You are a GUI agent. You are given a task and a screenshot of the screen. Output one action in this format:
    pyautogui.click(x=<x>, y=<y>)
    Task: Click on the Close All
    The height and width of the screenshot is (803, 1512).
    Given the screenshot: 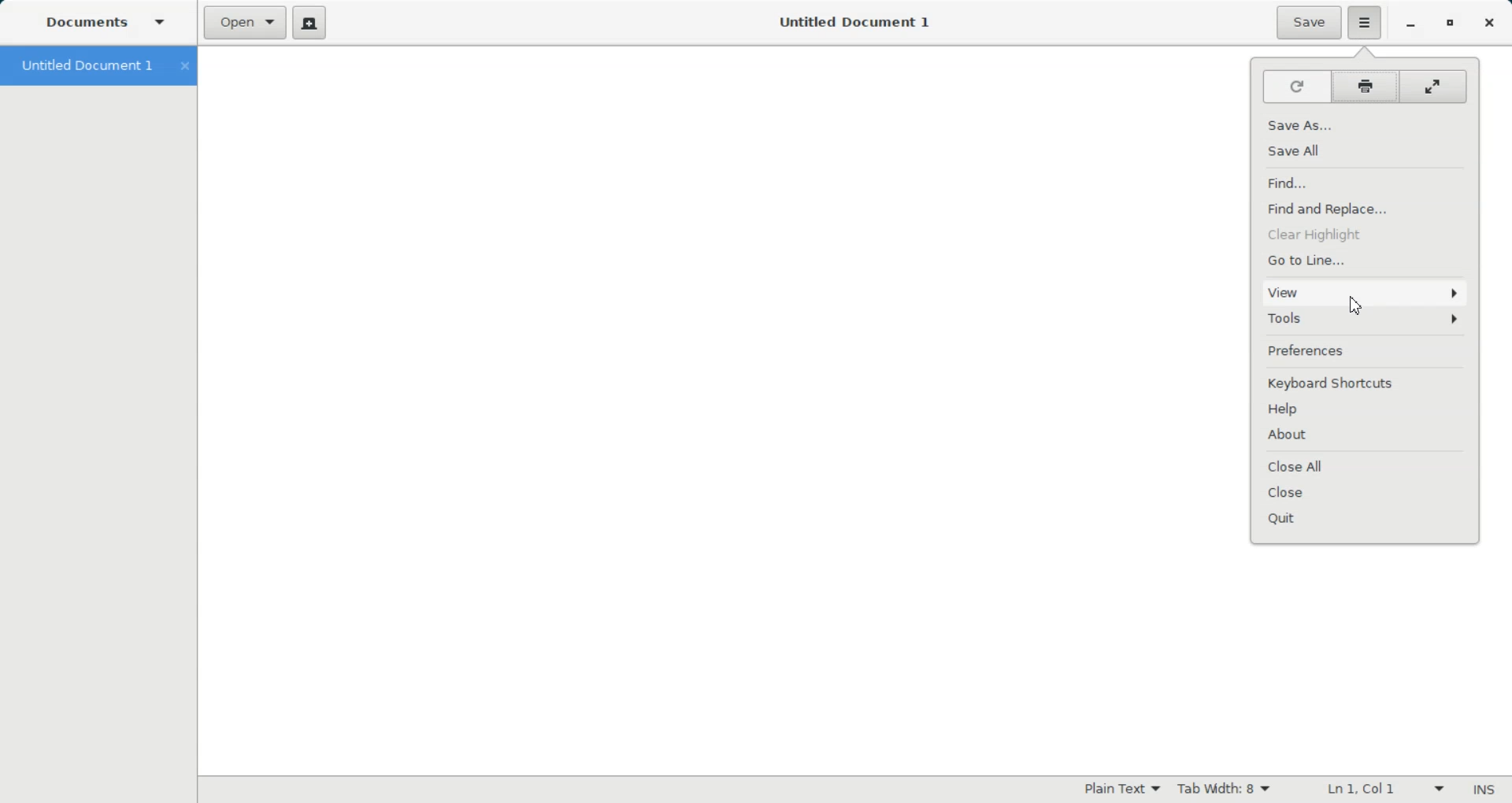 What is the action you would take?
    pyautogui.click(x=1365, y=467)
    